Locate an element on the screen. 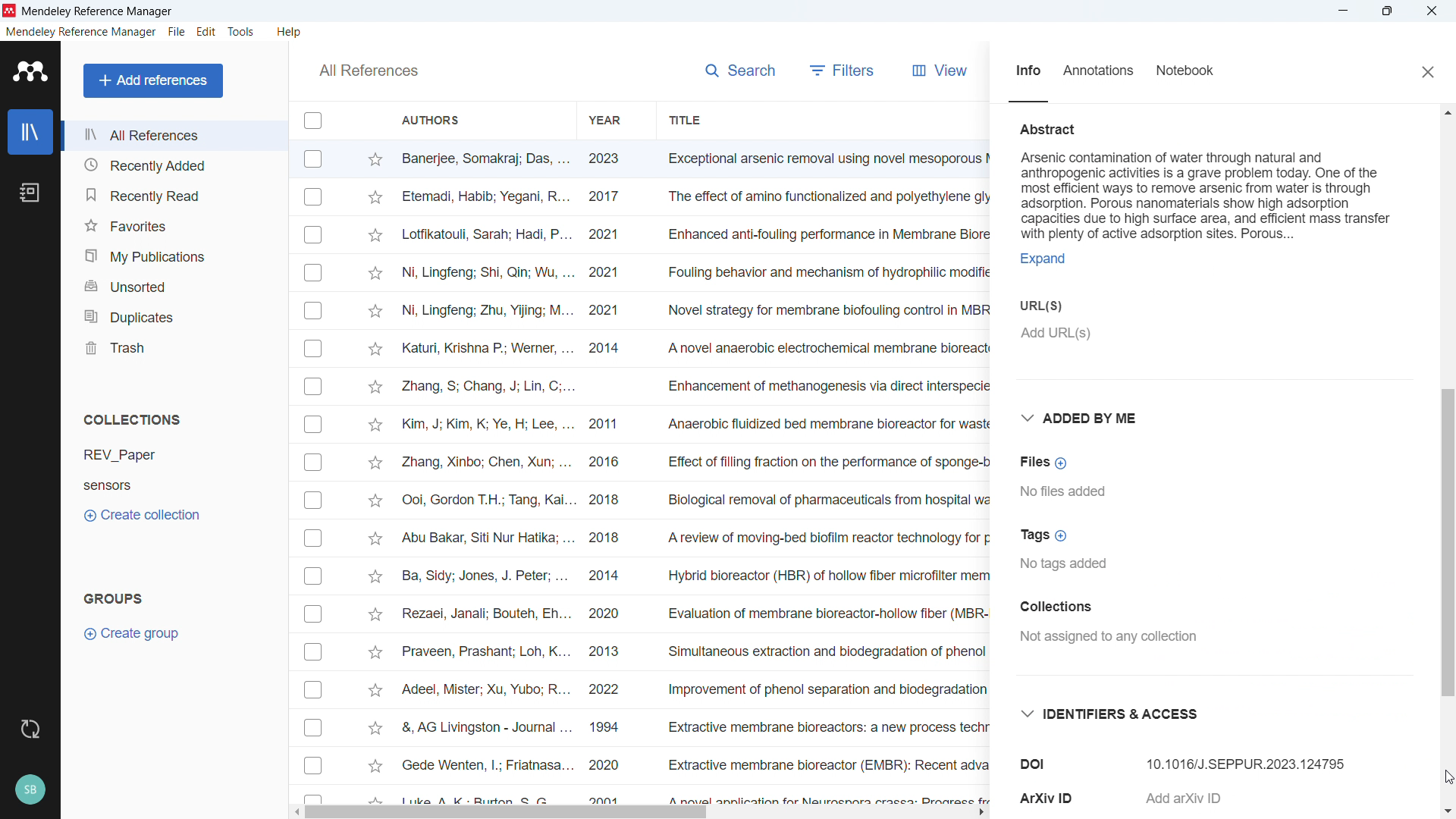 The width and height of the screenshot is (1456, 819). click to select individual entry is located at coordinates (315, 350).